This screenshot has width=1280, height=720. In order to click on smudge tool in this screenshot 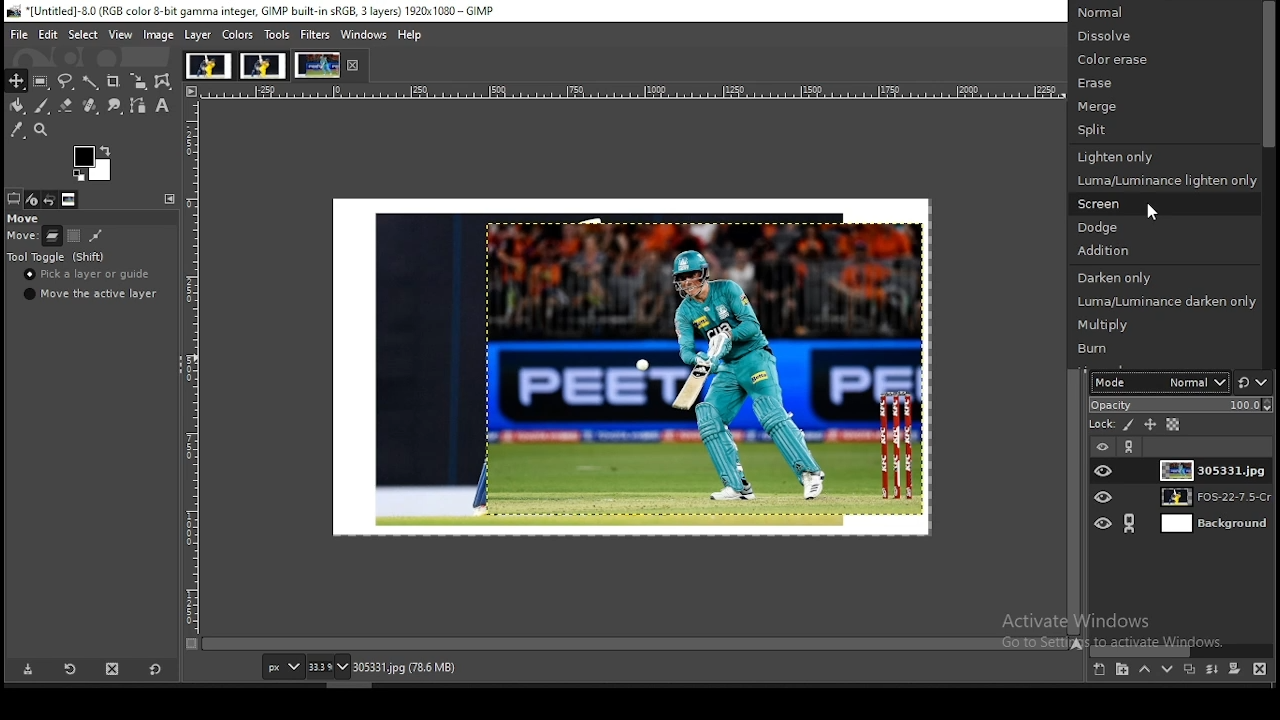, I will do `click(114, 105)`.